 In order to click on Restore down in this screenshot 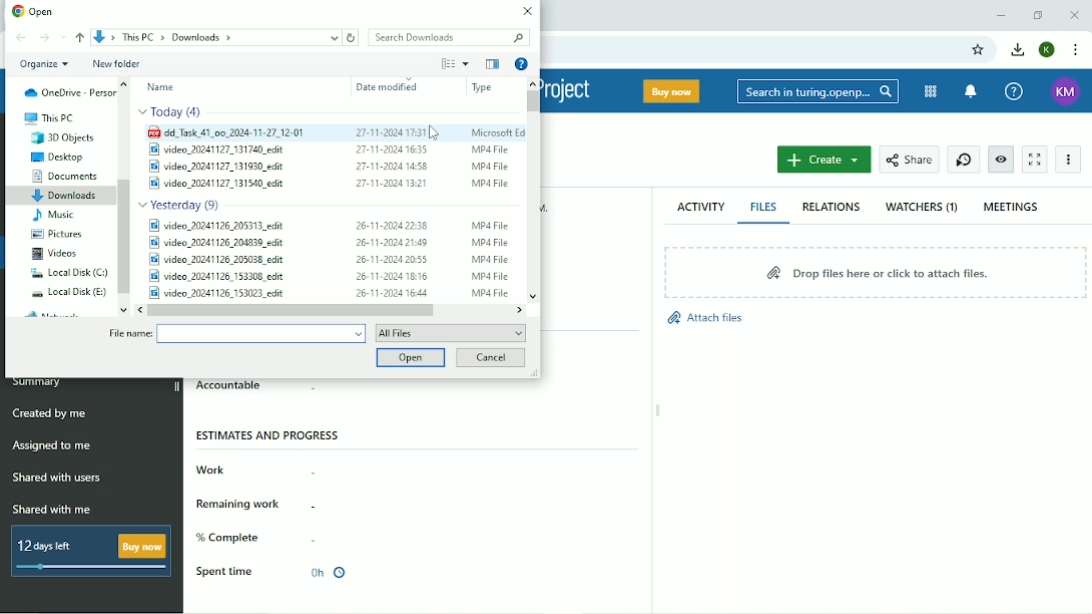, I will do `click(1037, 15)`.